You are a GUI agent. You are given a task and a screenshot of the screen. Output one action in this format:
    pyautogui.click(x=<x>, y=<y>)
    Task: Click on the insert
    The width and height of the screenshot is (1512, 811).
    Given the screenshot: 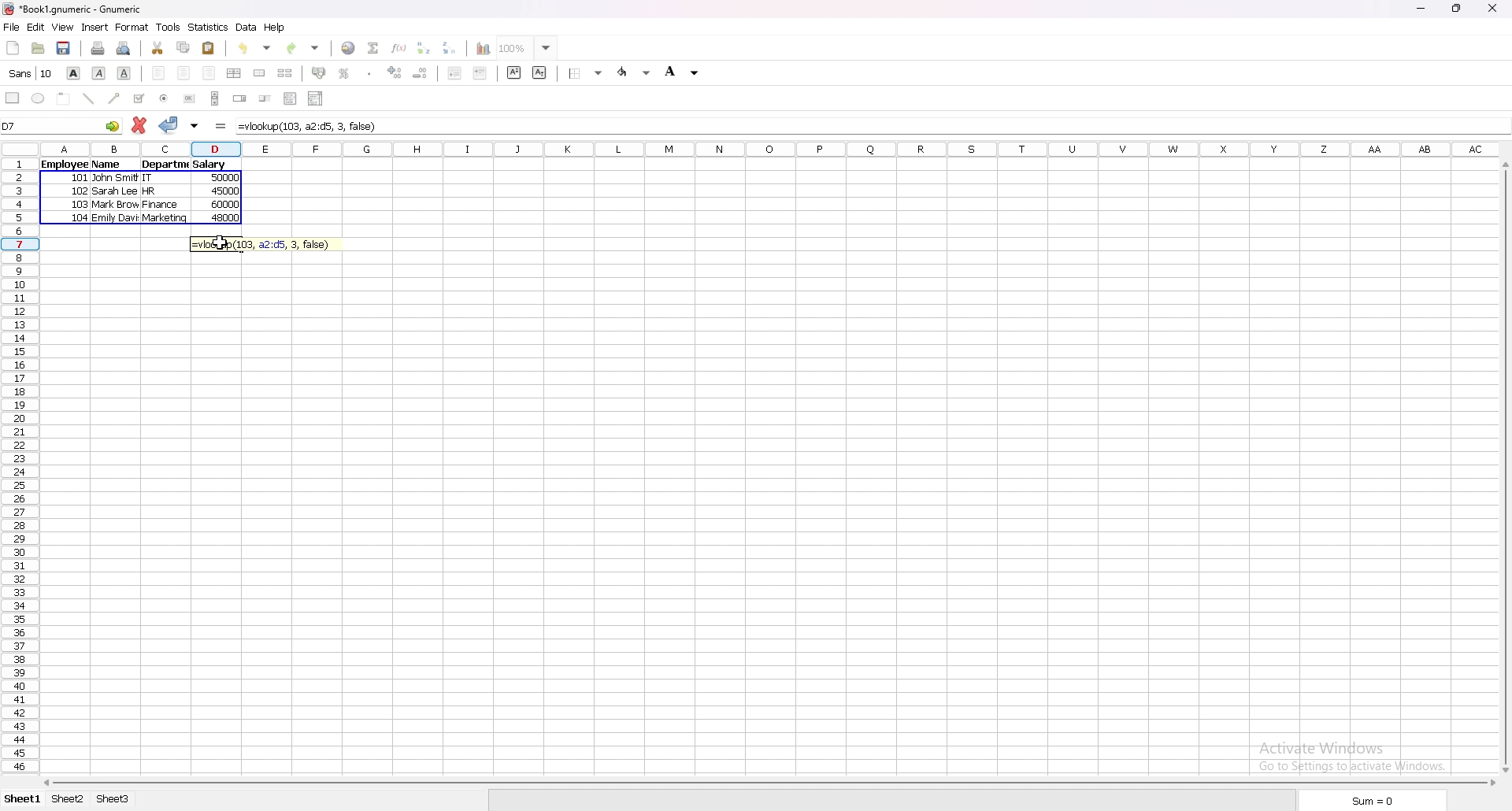 What is the action you would take?
    pyautogui.click(x=95, y=28)
    